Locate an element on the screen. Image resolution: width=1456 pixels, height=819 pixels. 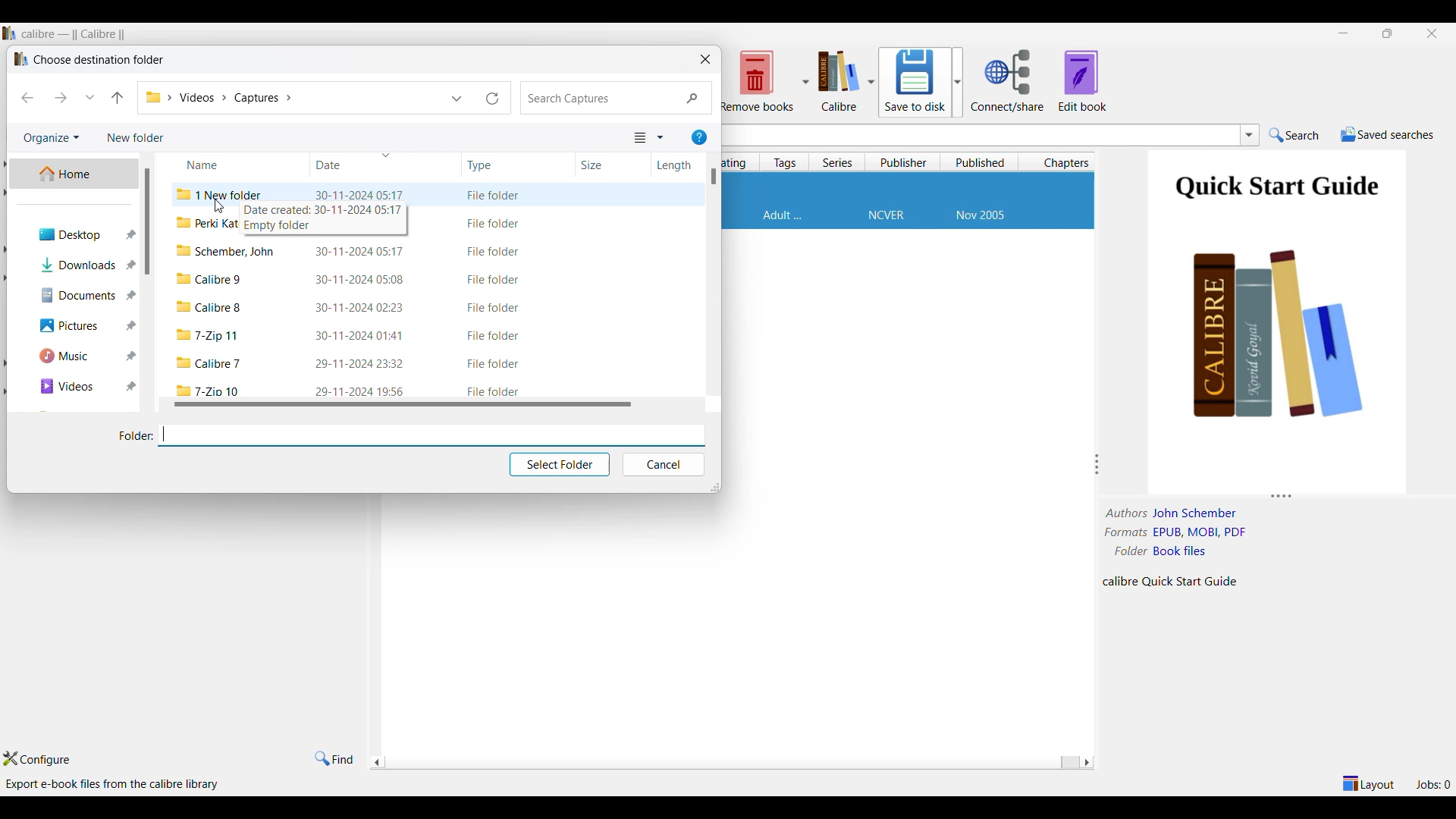
Change window dimension is located at coordinates (715, 488).